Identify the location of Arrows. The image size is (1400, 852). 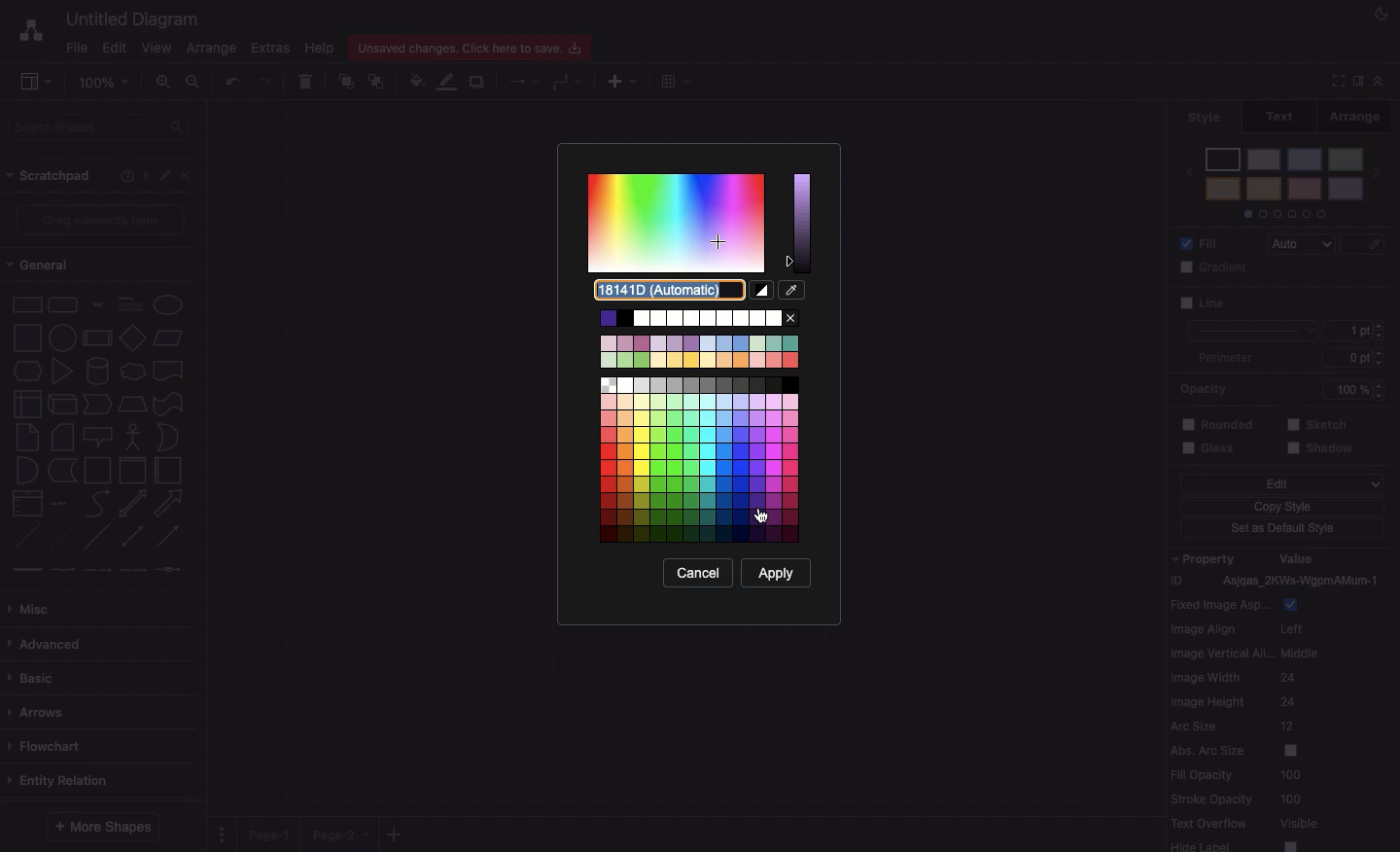
(518, 80).